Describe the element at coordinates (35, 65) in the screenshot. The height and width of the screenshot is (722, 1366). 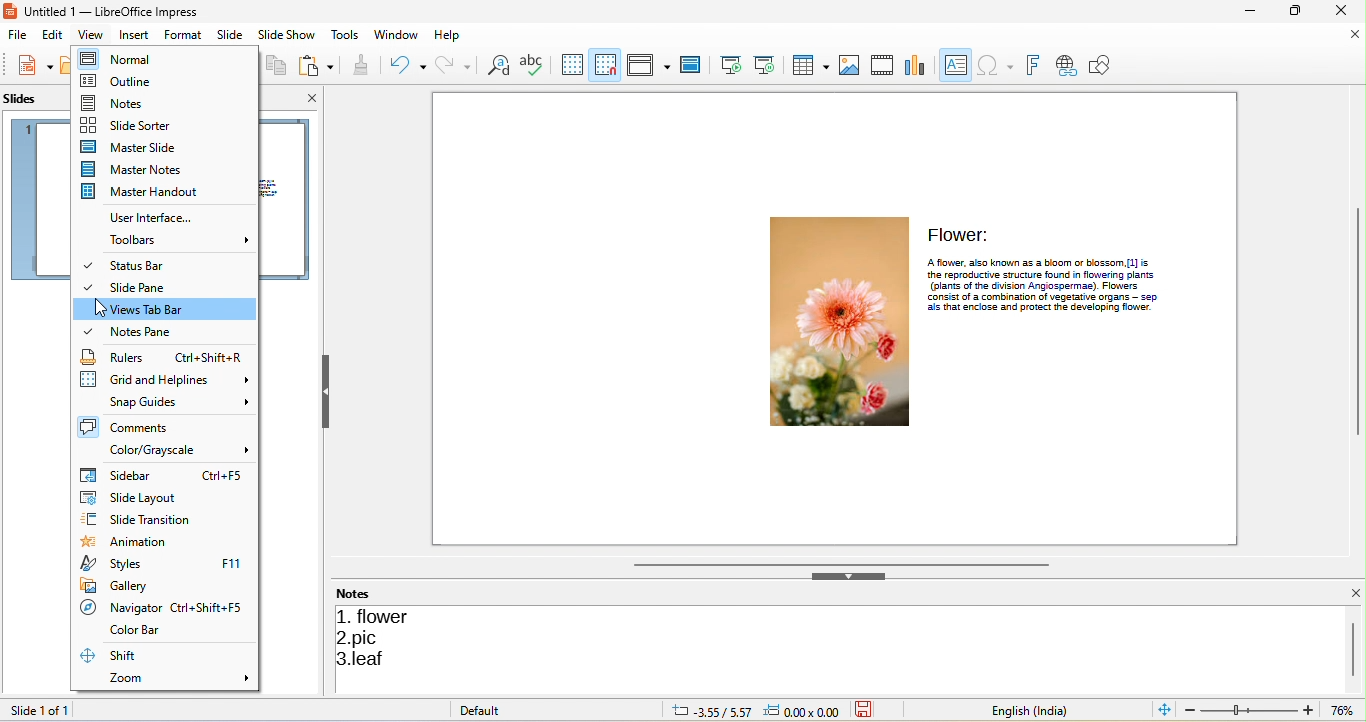
I see `new` at that location.